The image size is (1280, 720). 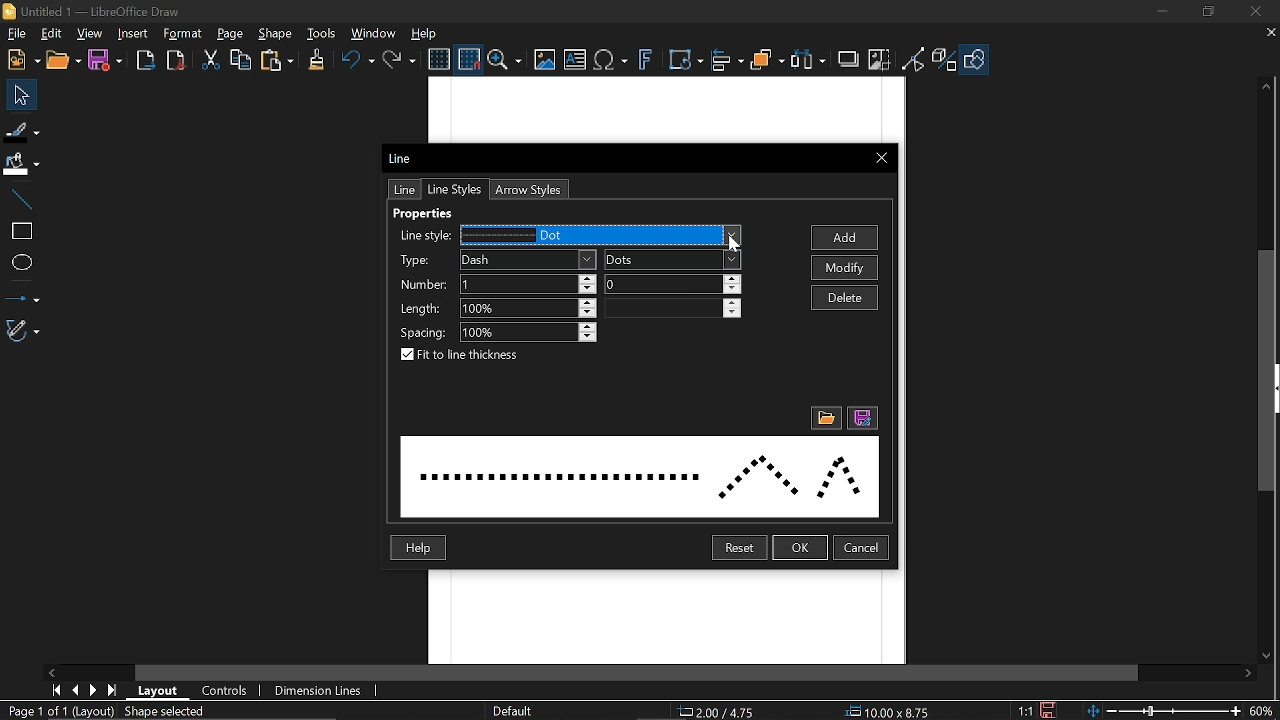 I want to click on workspace, so click(x=669, y=109).